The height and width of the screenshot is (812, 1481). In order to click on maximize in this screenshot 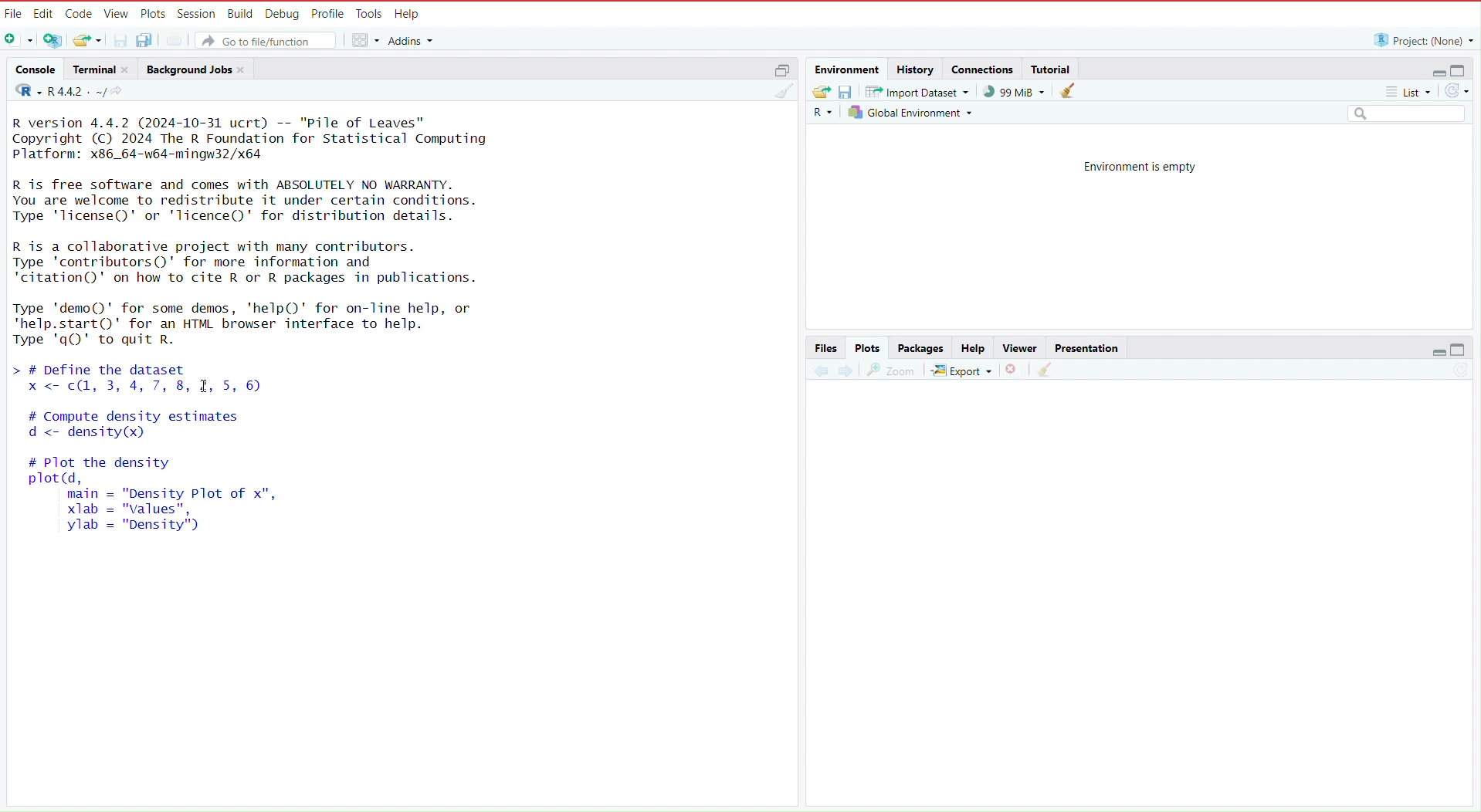, I will do `click(1464, 68)`.